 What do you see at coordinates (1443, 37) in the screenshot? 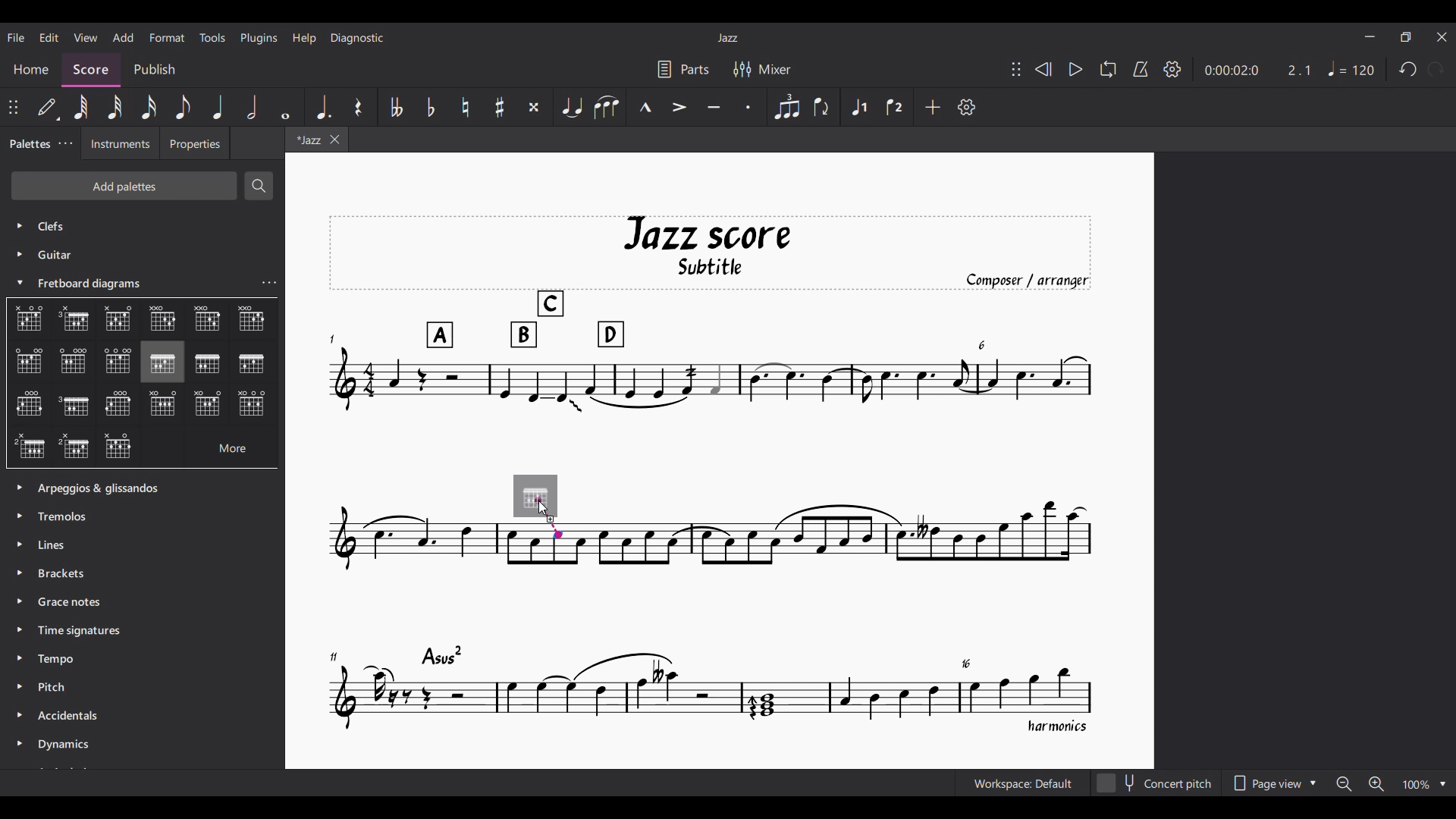
I see `Close` at bounding box center [1443, 37].